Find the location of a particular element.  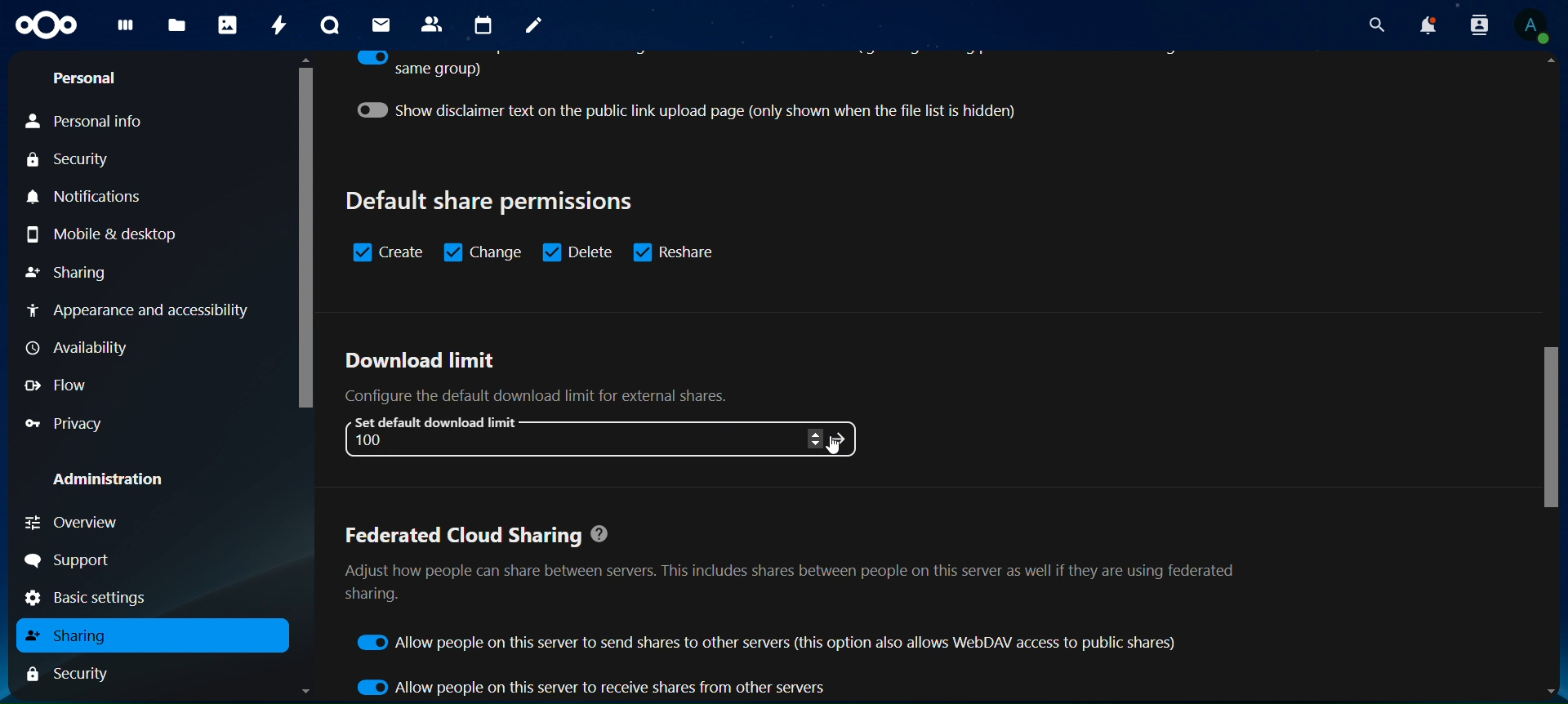

mail is located at coordinates (383, 25).